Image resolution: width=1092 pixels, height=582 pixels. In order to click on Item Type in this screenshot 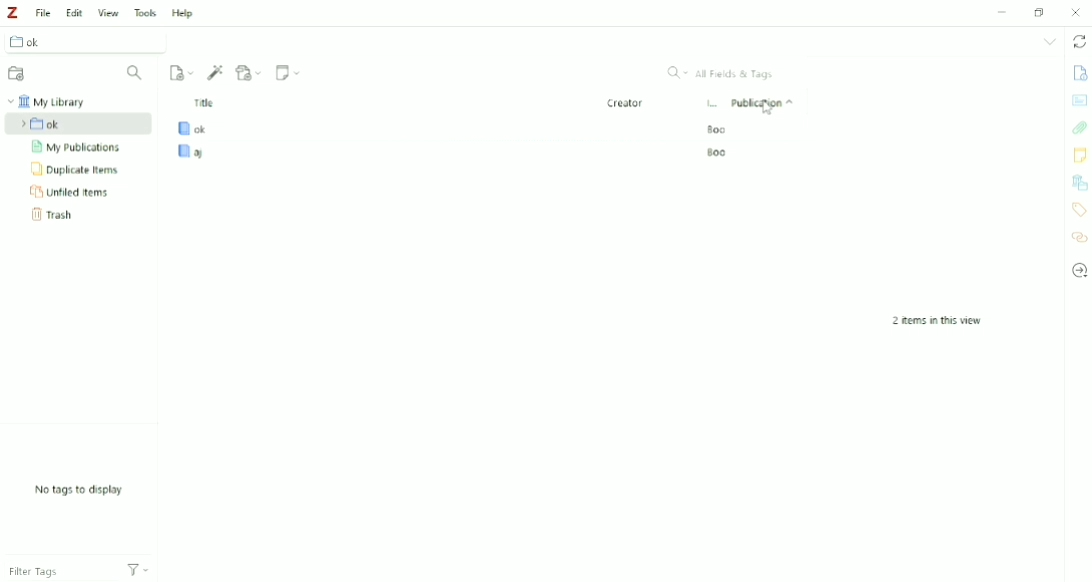, I will do `click(710, 105)`.